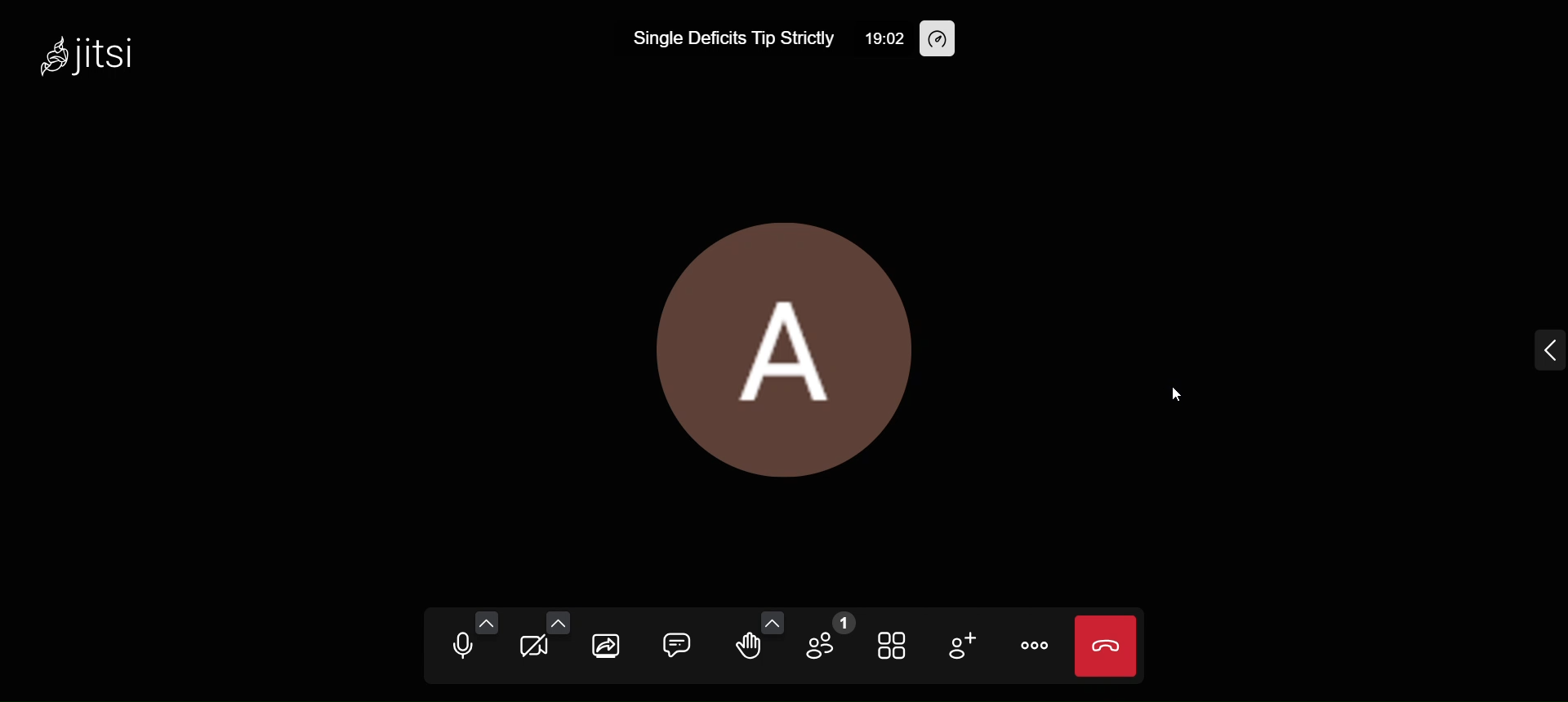 The image size is (1568, 702). What do you see at coordinates (891, 646) in the screenshot?
I see `tile view` at bounding box center [891, 646].